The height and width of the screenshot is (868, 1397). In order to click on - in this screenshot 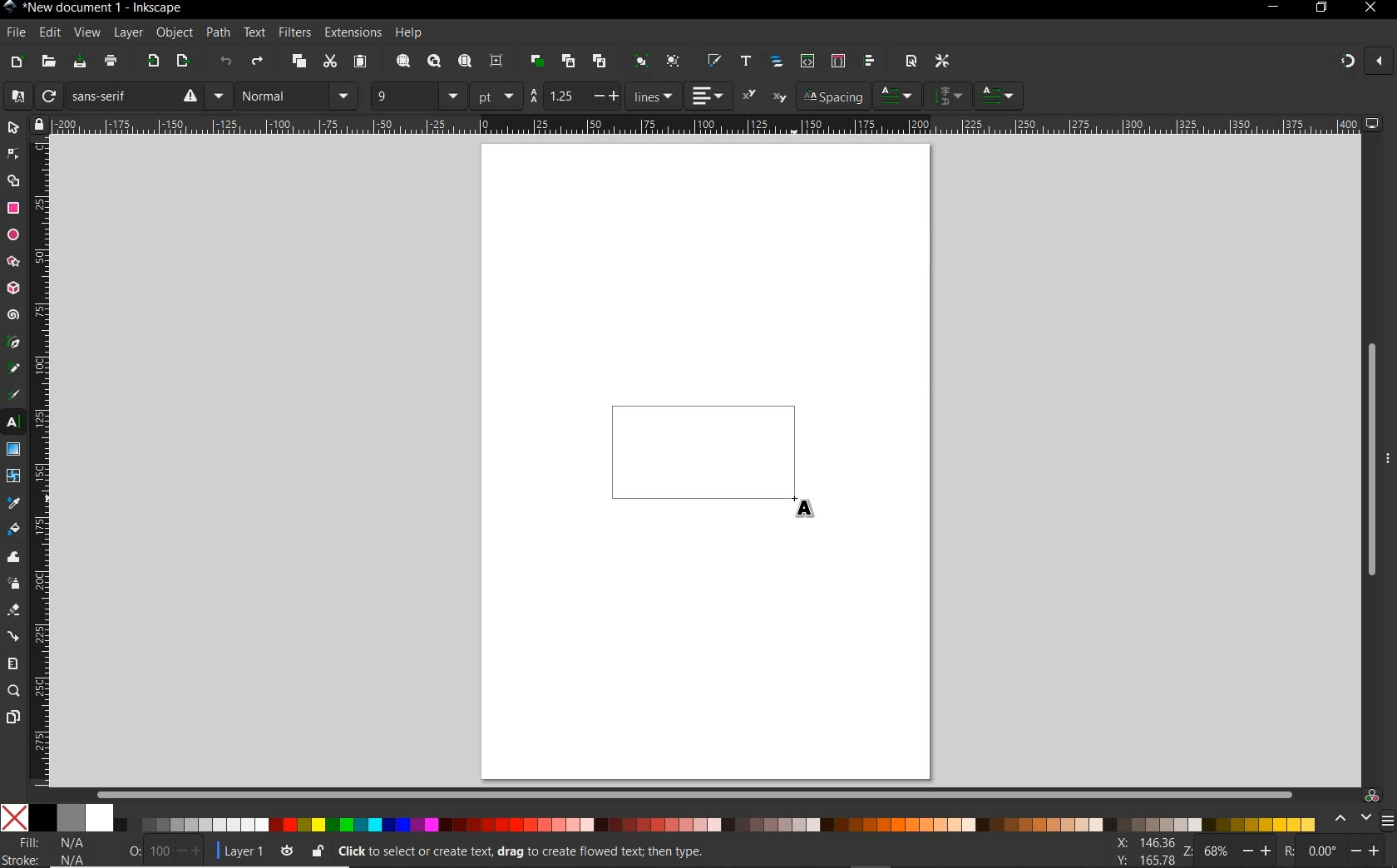, I will do `click(597, 96)`.